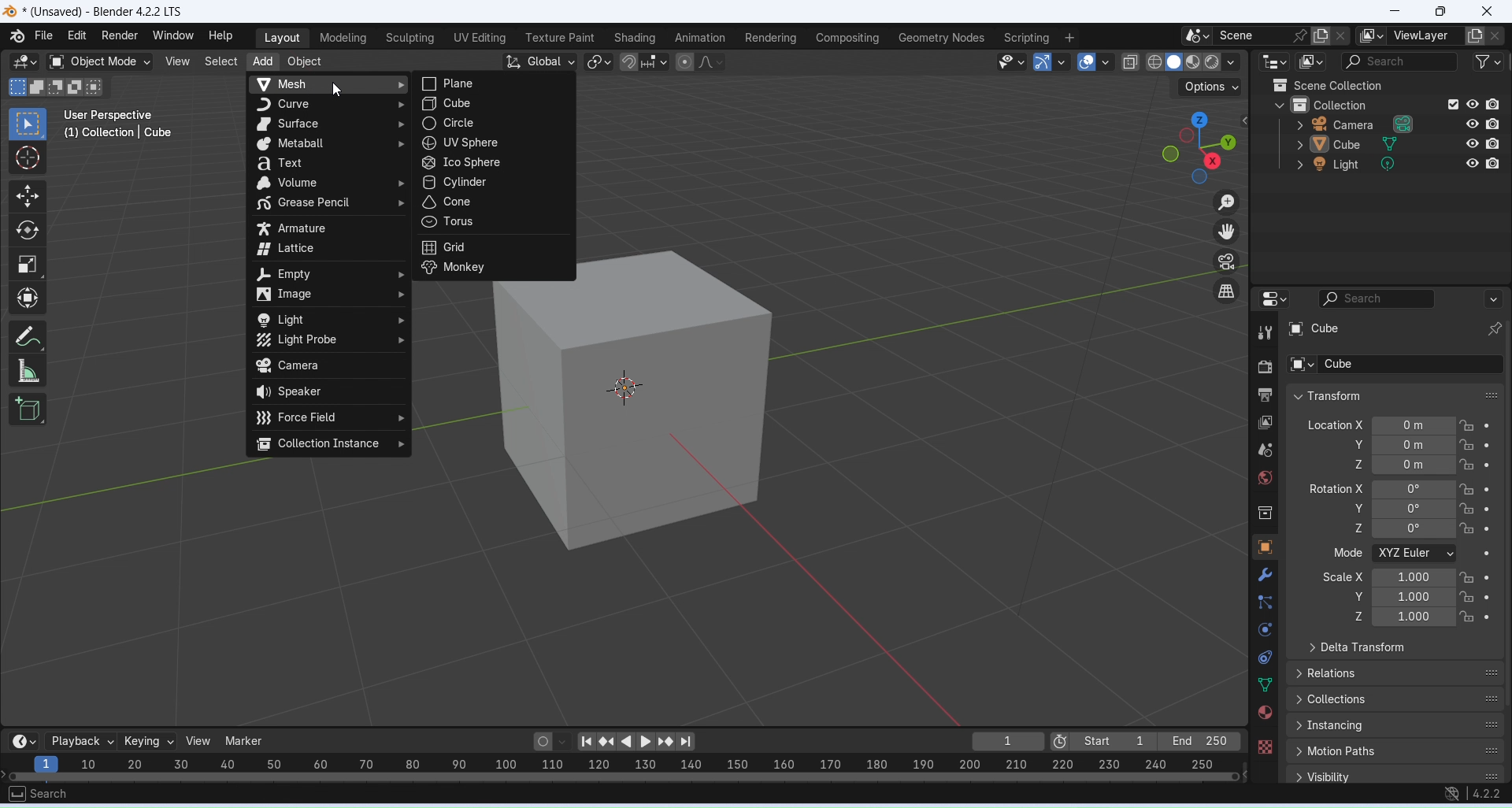 This screenshot has height=808, width=1512. I want to click on Rotate, so click(24, 231).